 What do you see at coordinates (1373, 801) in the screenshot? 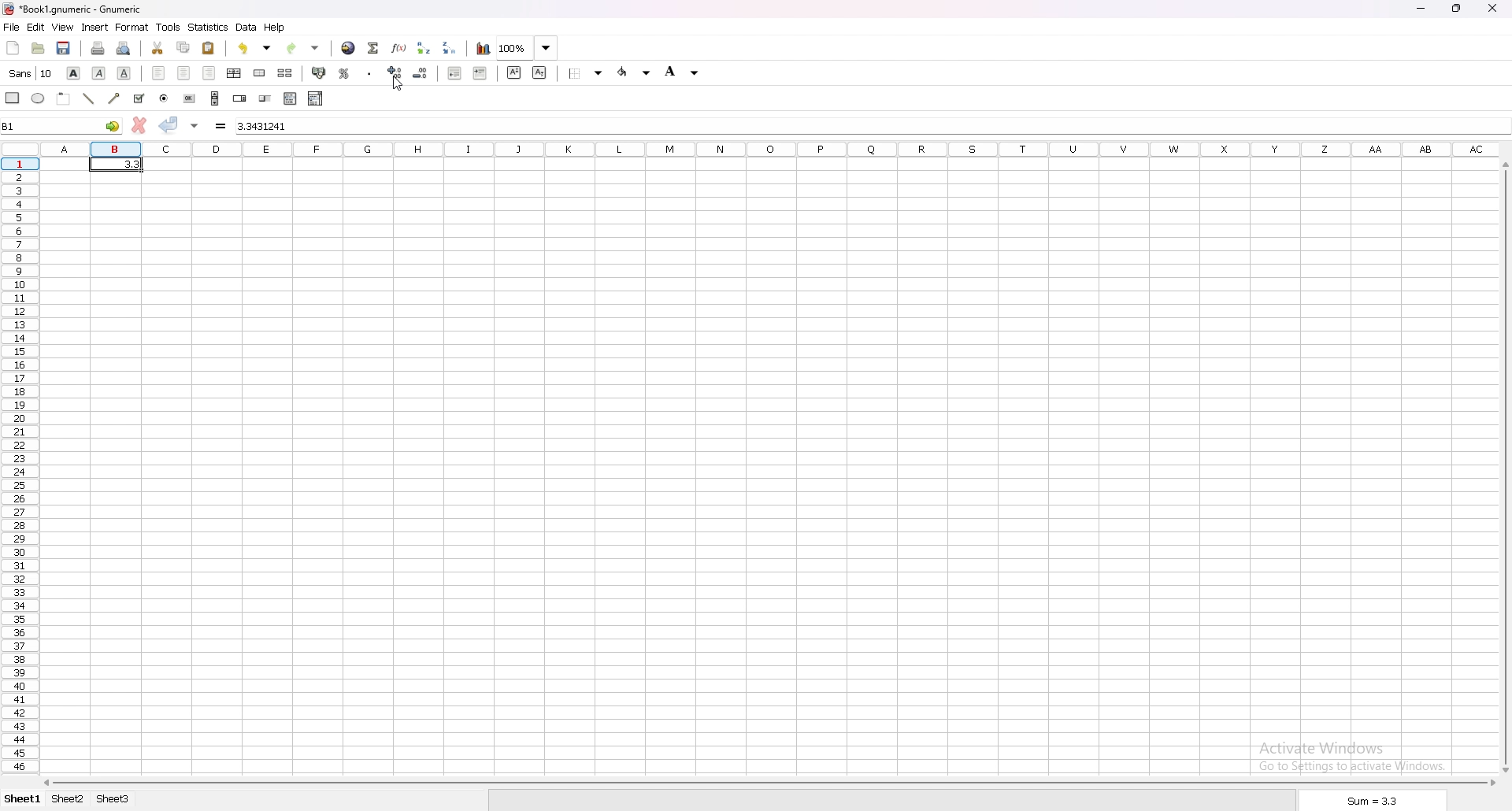
I see `sum` at bounding box center [1373, 801].